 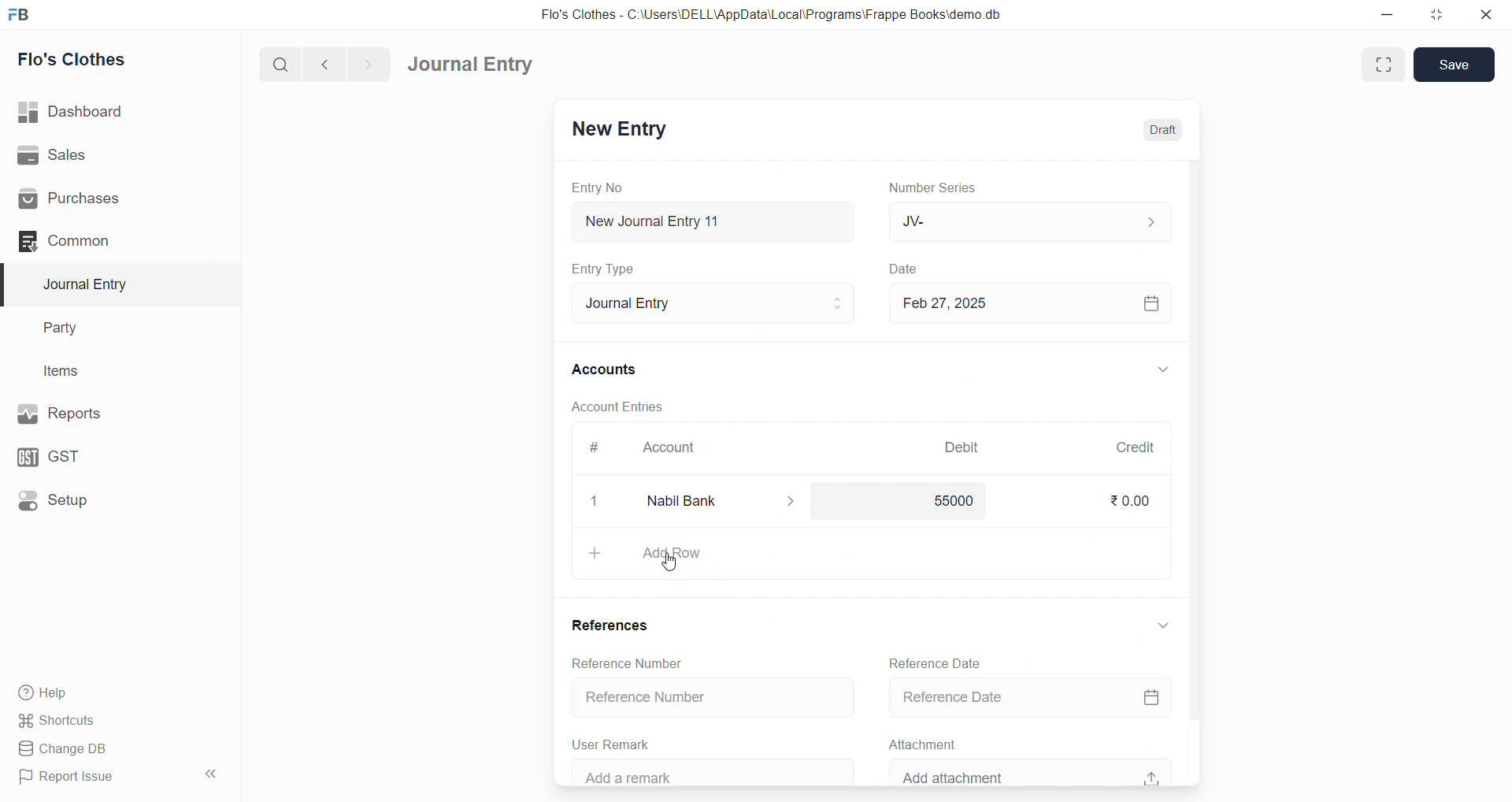 What do you see at coordinates (24, 13) in the screenshot?
I see `logo` at bounding box center [24, 13].